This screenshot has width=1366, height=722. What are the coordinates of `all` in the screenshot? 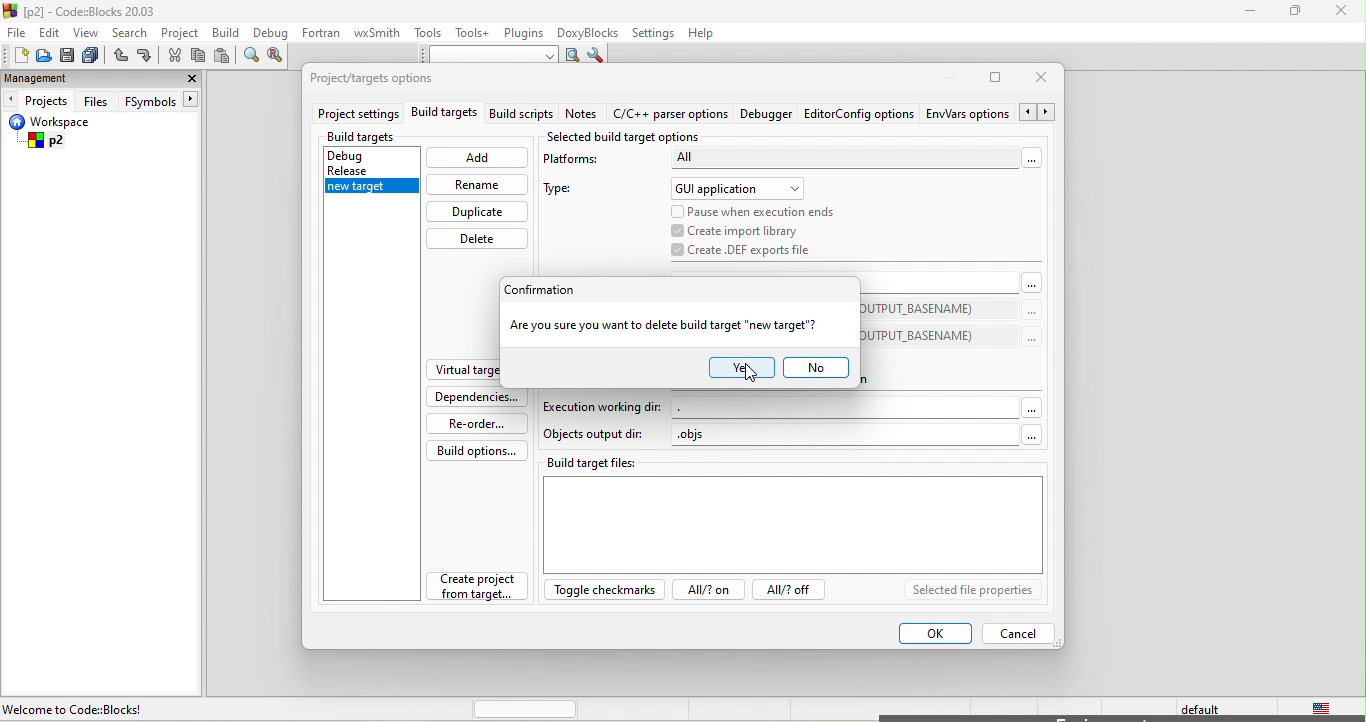 It's located at (855, 162).